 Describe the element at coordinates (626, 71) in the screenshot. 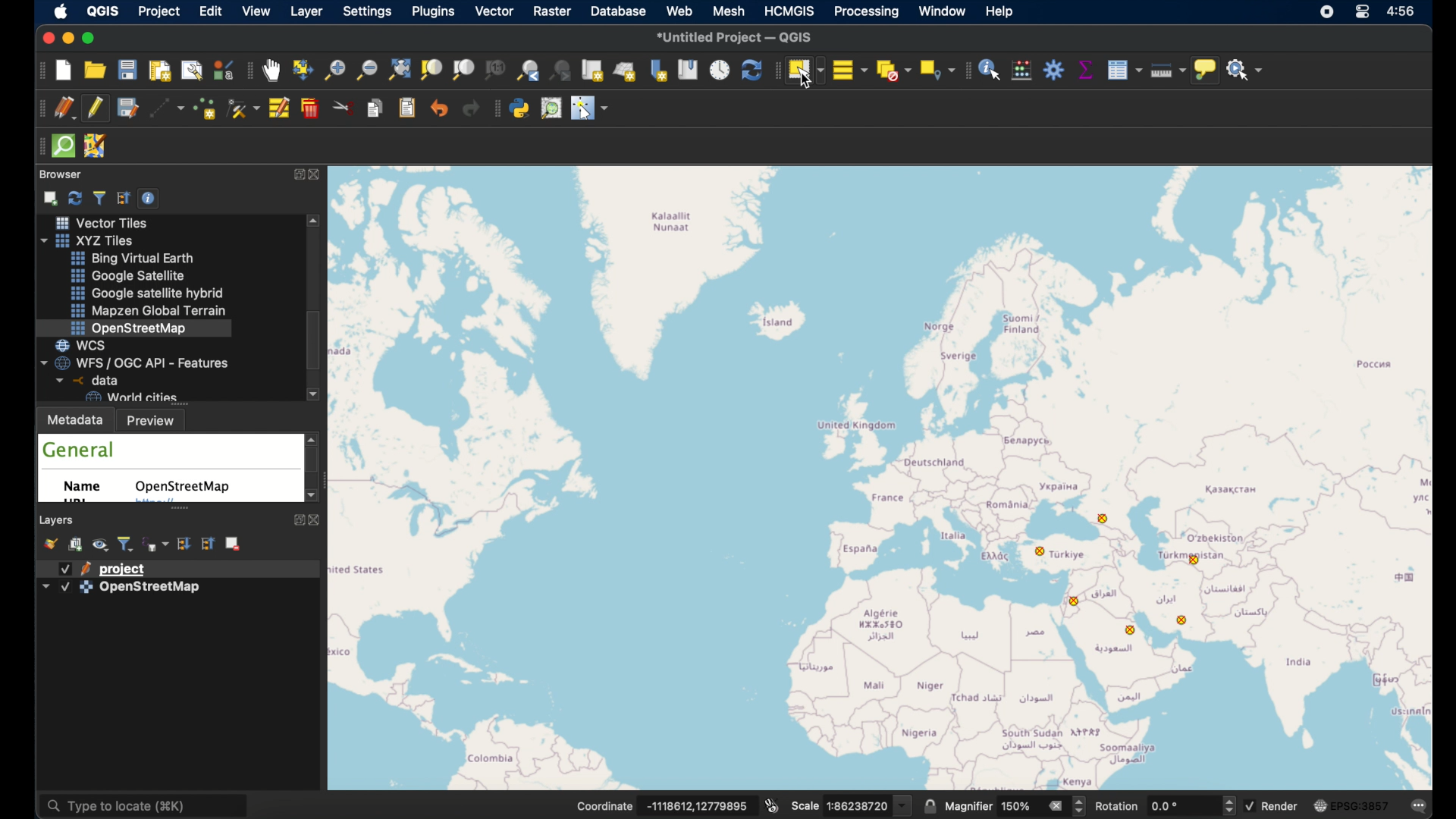

I see `new 3d map view` at that location.